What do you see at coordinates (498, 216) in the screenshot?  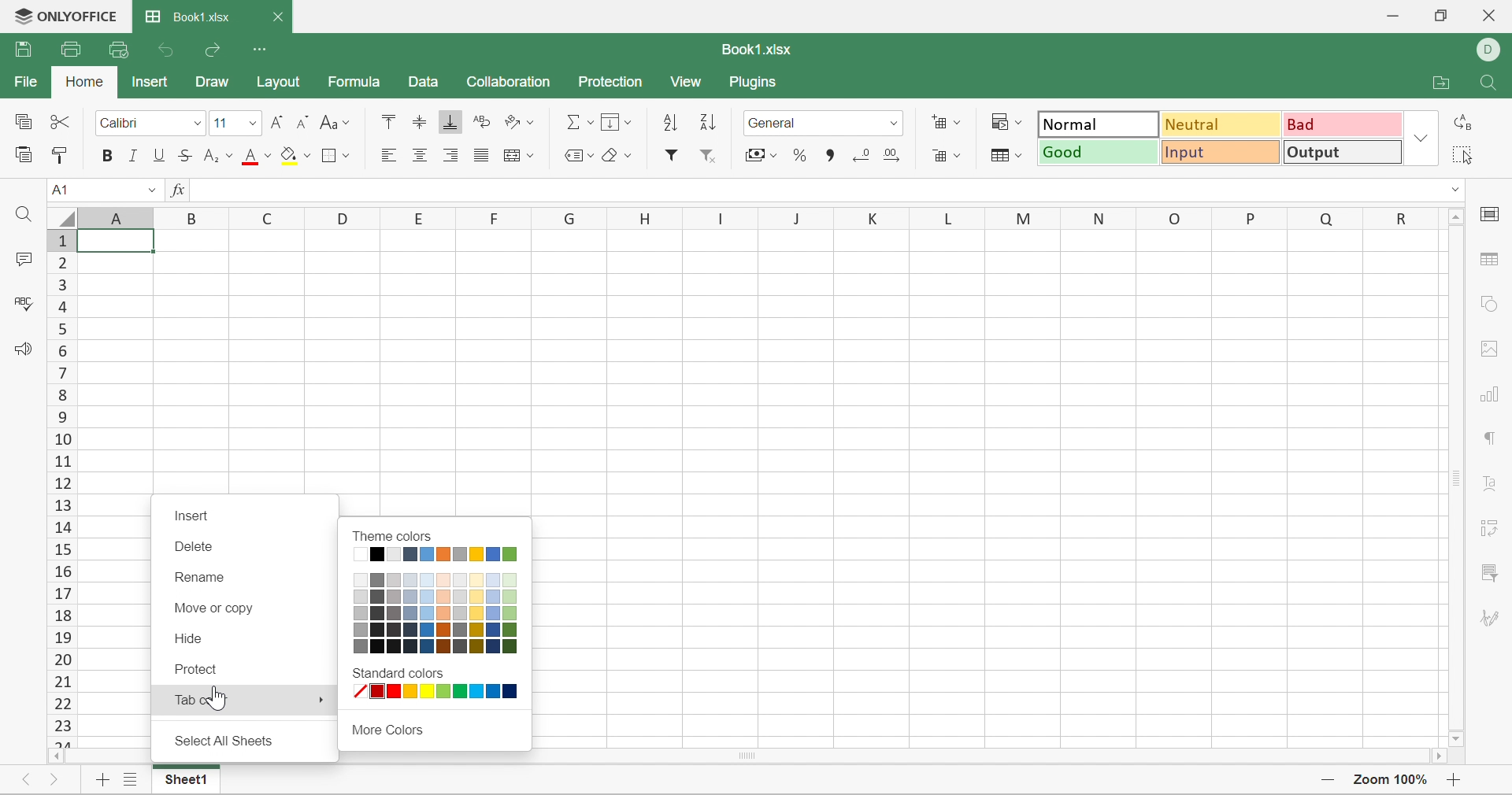 I see `F` at bounding box center [498, 216].